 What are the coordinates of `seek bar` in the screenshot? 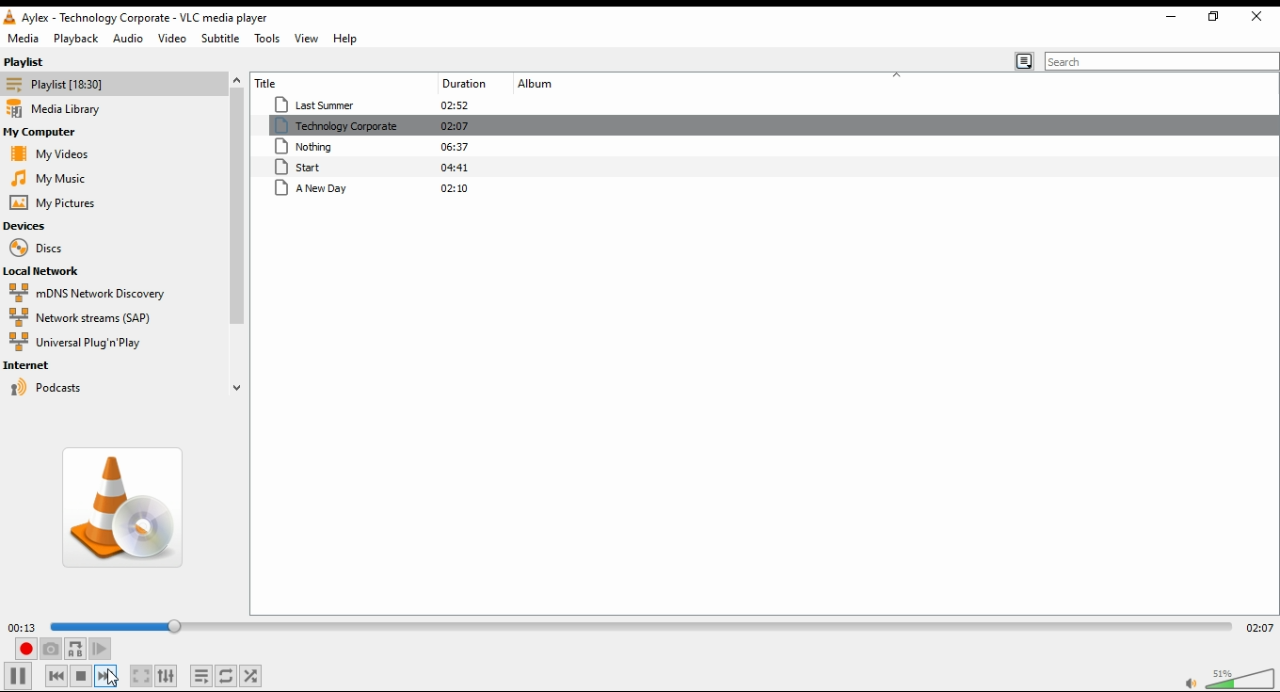 It's located at (642, 627).